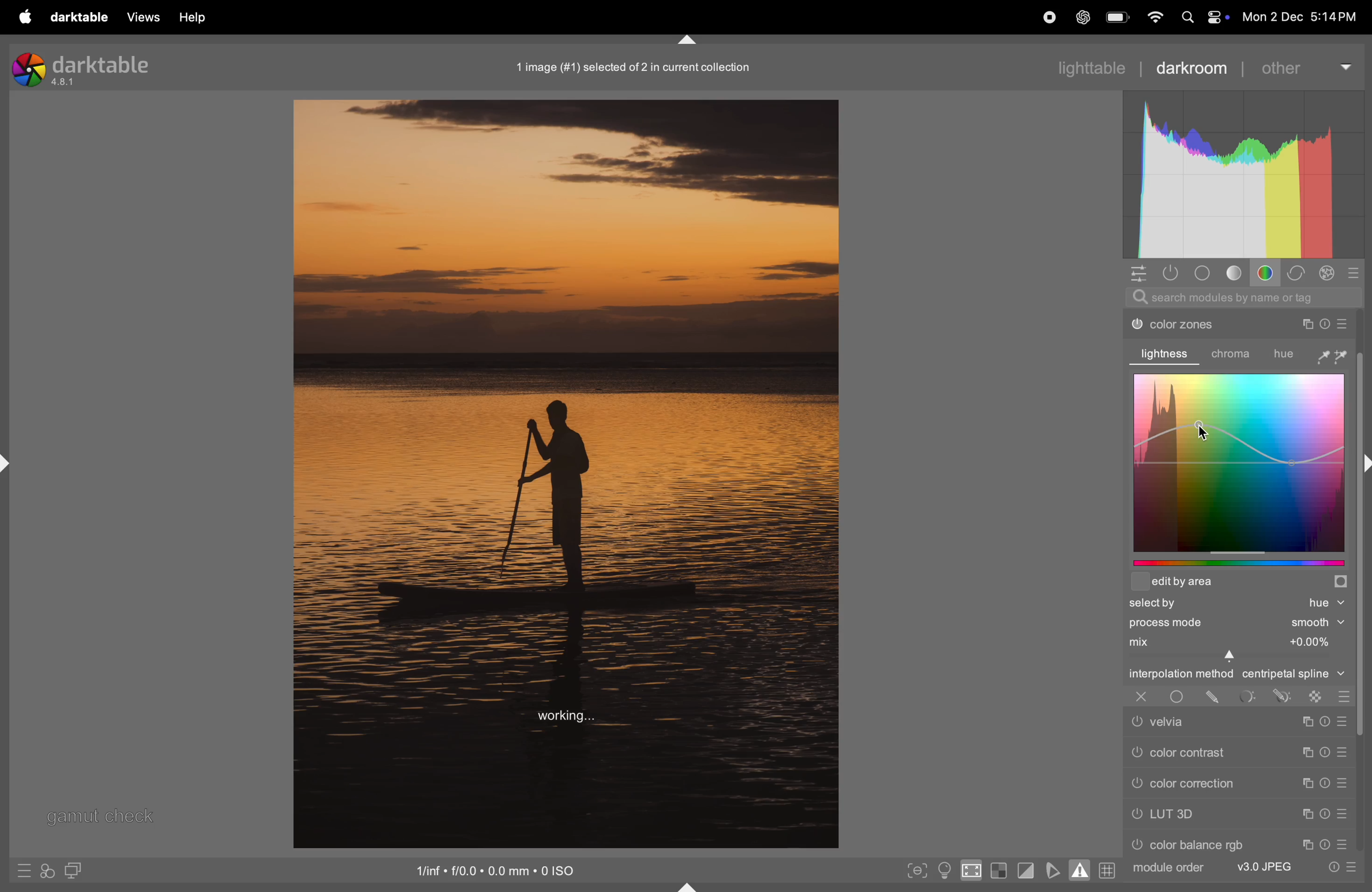 The image size is (1372, 892). I want to click on , so click(1143, 695).